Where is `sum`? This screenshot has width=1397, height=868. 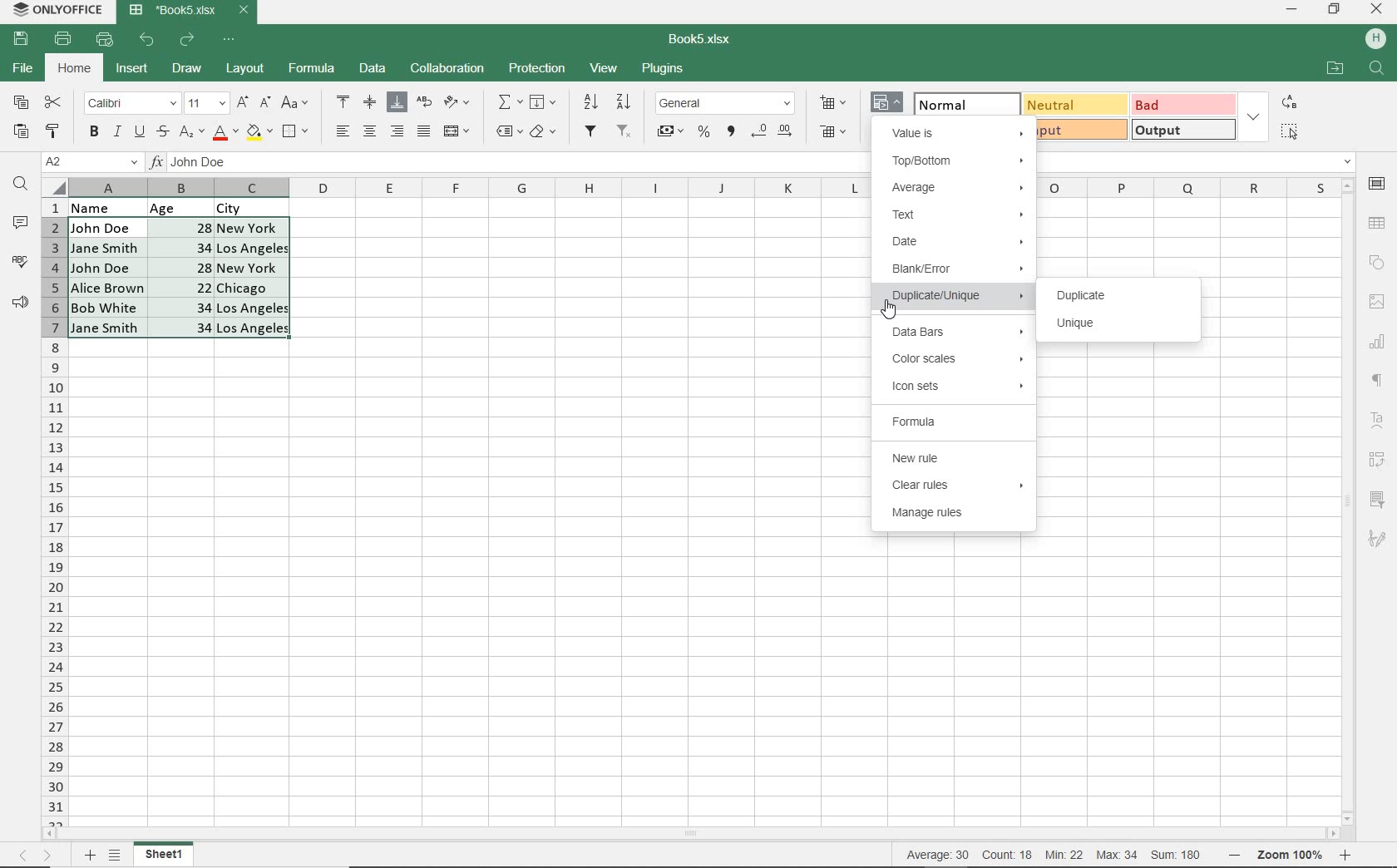
sum is located at coordinates (1172, 855).